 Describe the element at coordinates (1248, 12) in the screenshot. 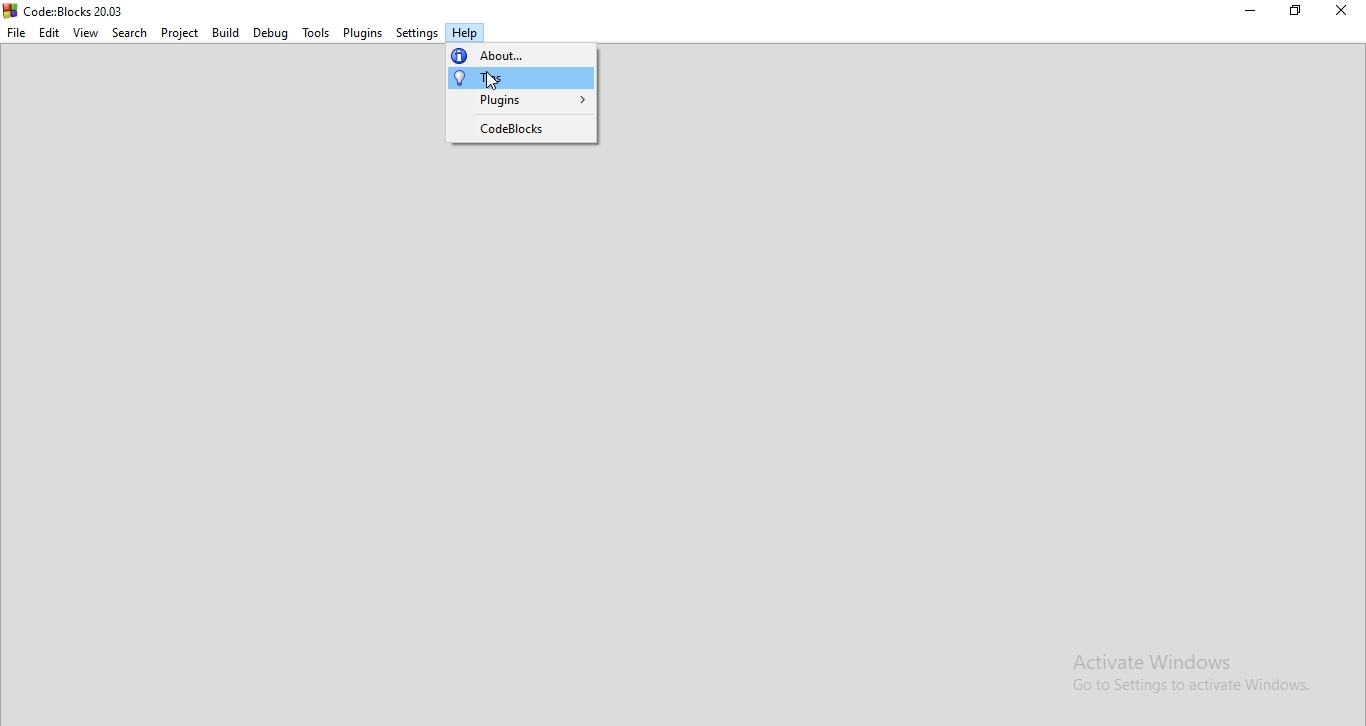

I see `Minimise` at that location.